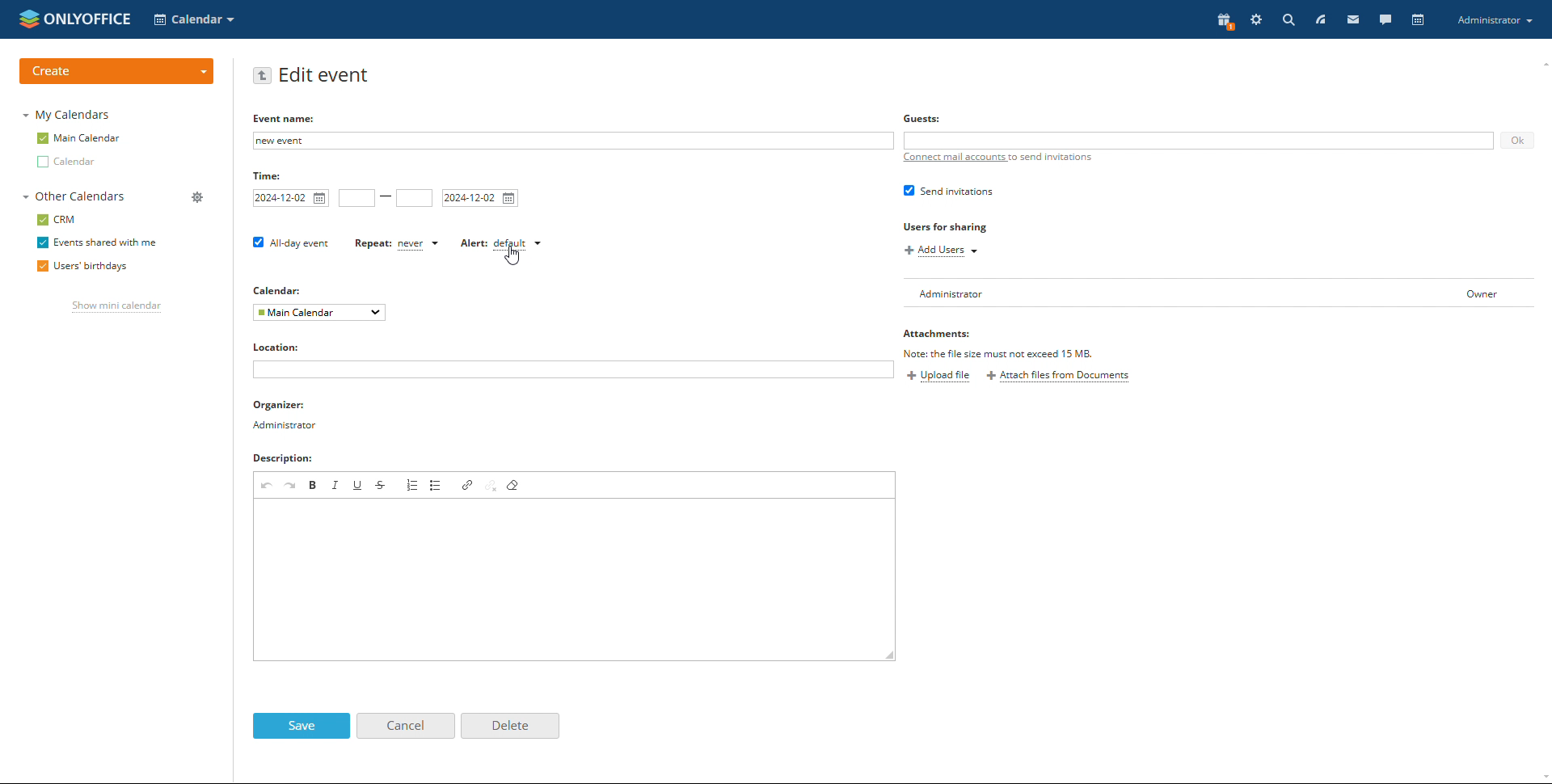  I want to click on add users, so click(943, 252).